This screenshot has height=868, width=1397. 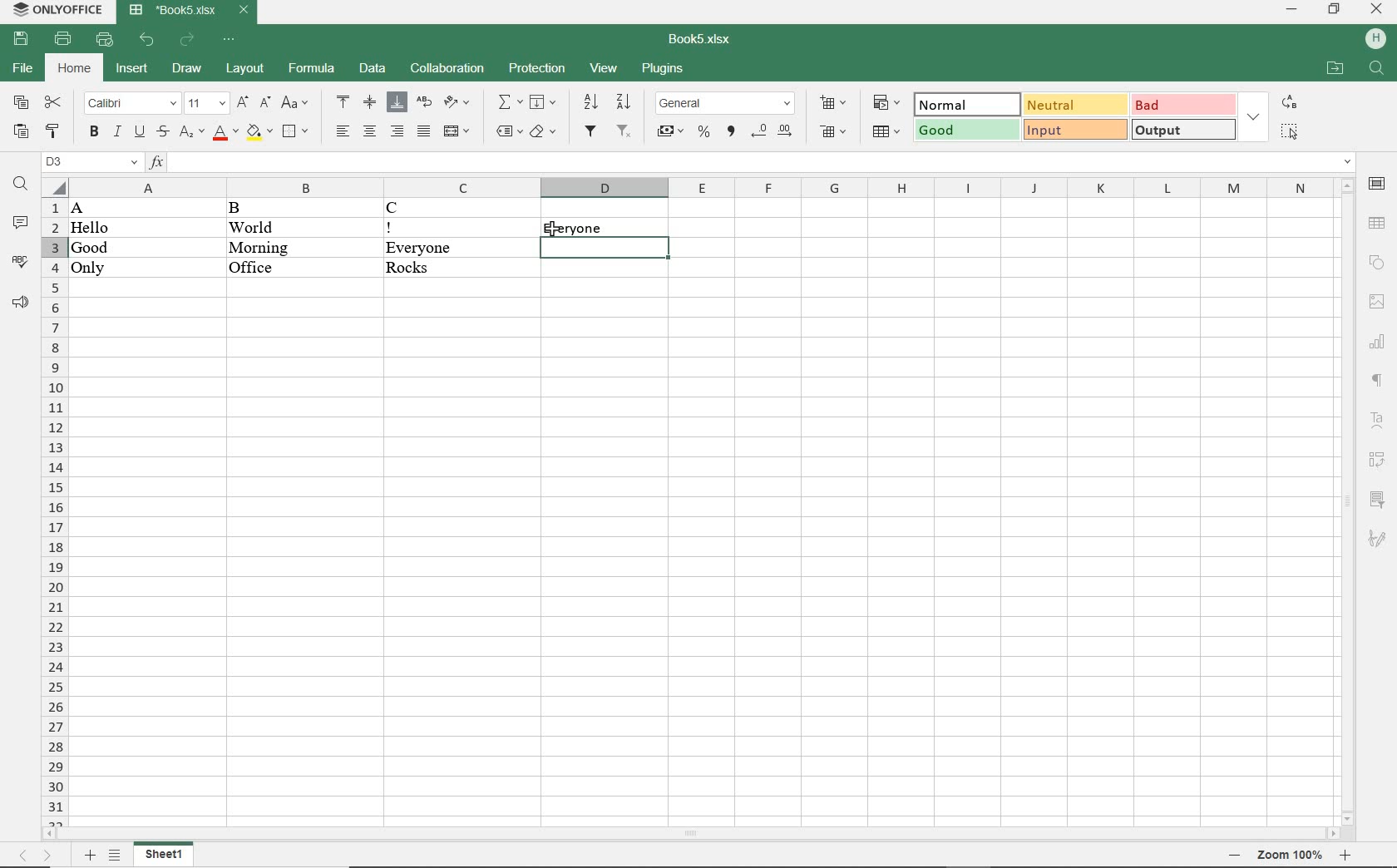 I want to click on document name, so click(x=188, y=12).